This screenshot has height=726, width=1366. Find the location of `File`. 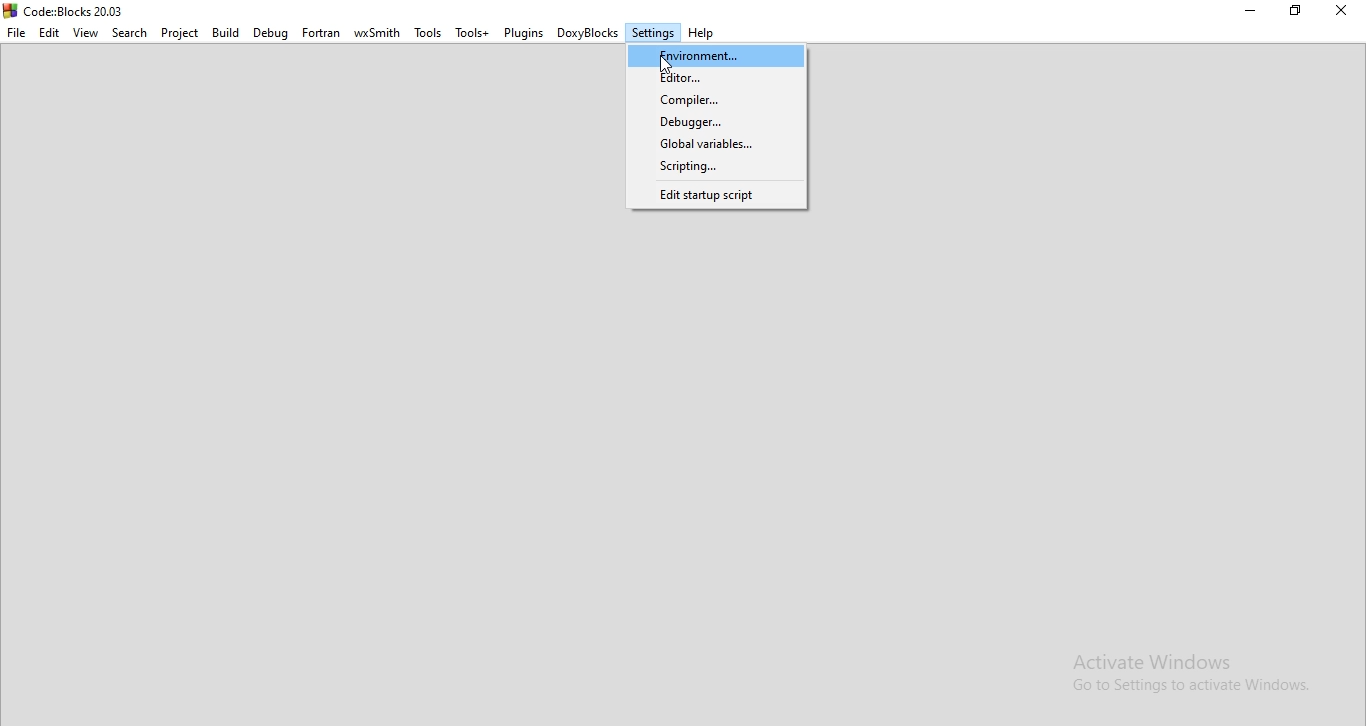

File is located at coordinates (16, 33).